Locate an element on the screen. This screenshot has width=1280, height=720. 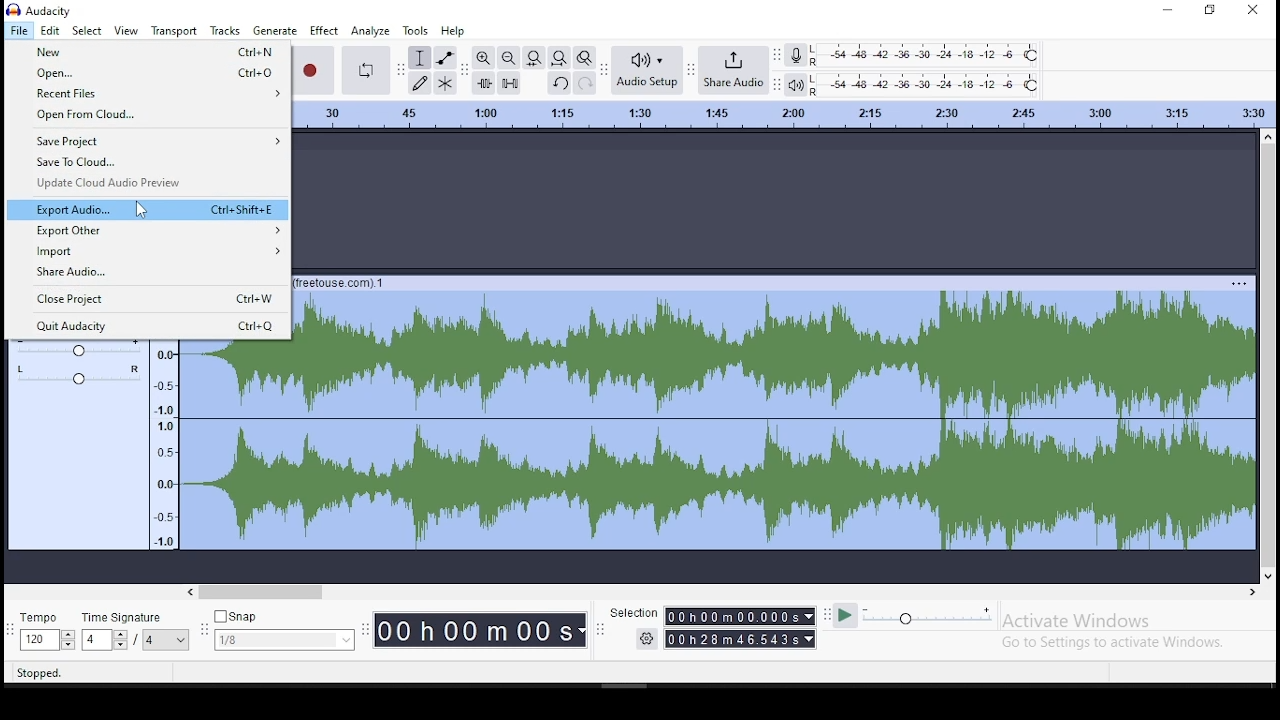
tools is located at coordinates (418, 30).